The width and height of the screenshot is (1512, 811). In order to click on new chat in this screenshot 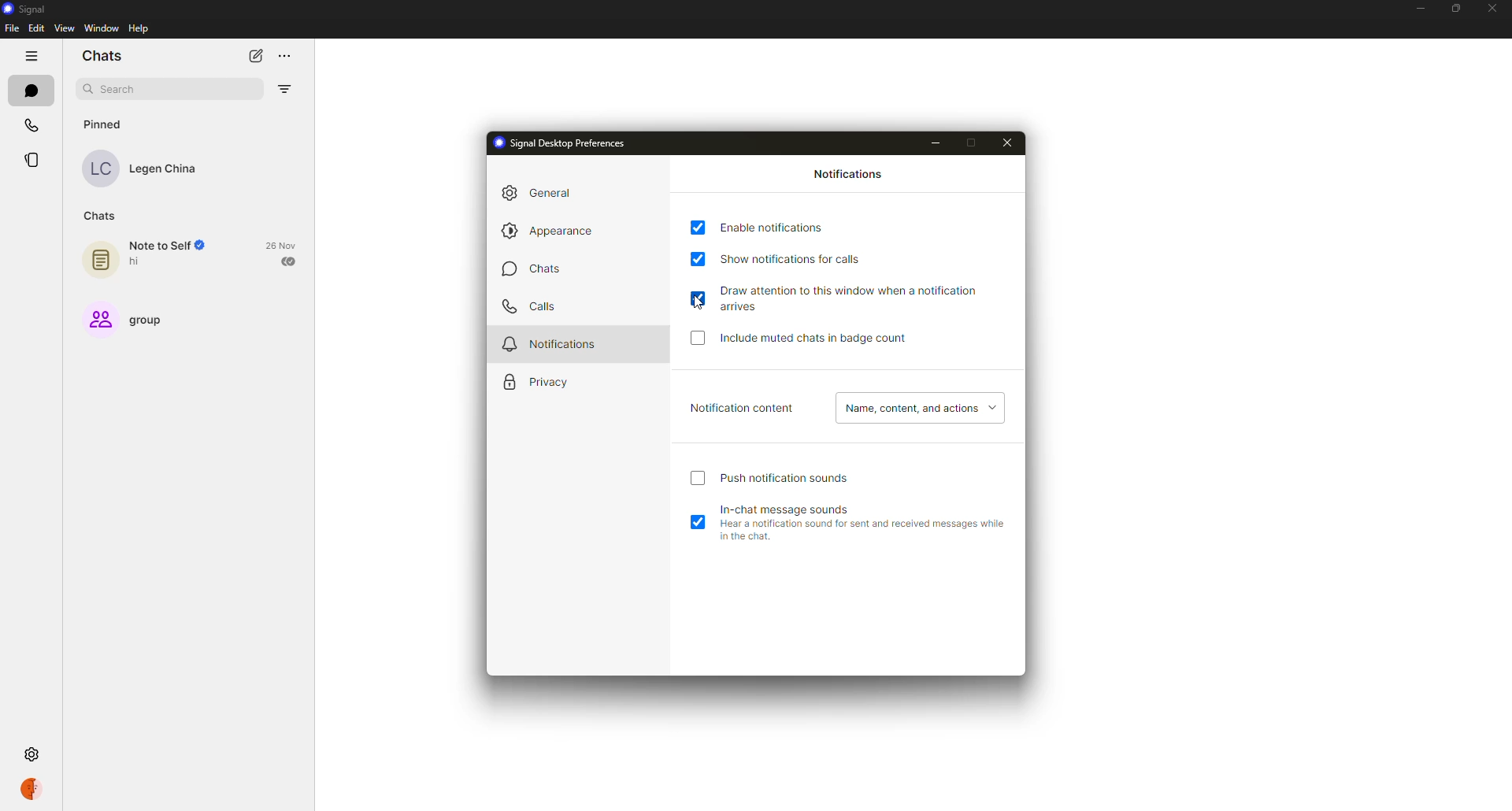, I will do `click(257, 56)`.